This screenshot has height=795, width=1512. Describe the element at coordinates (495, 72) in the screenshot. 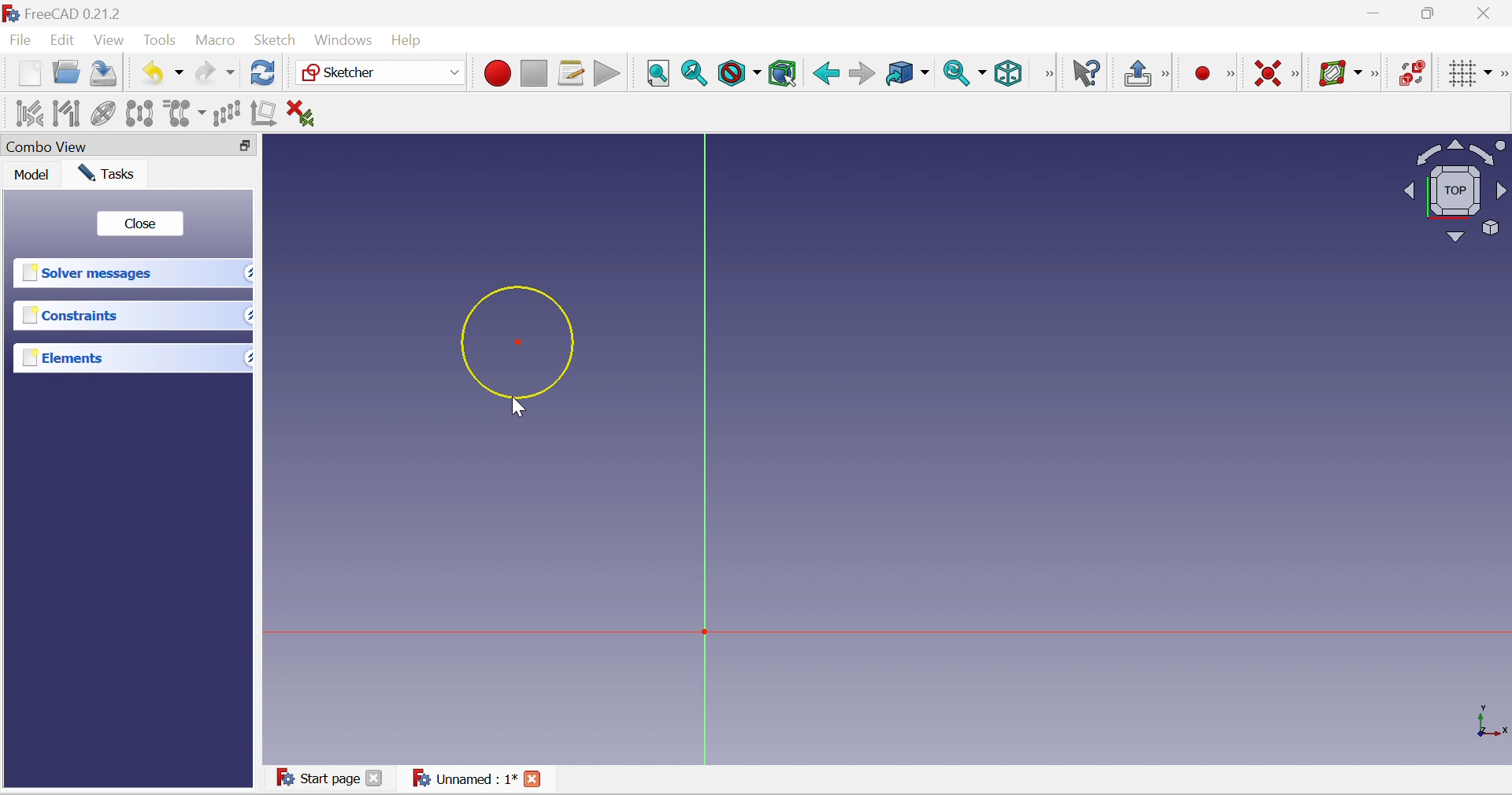

I see `Macro recording` at that location.